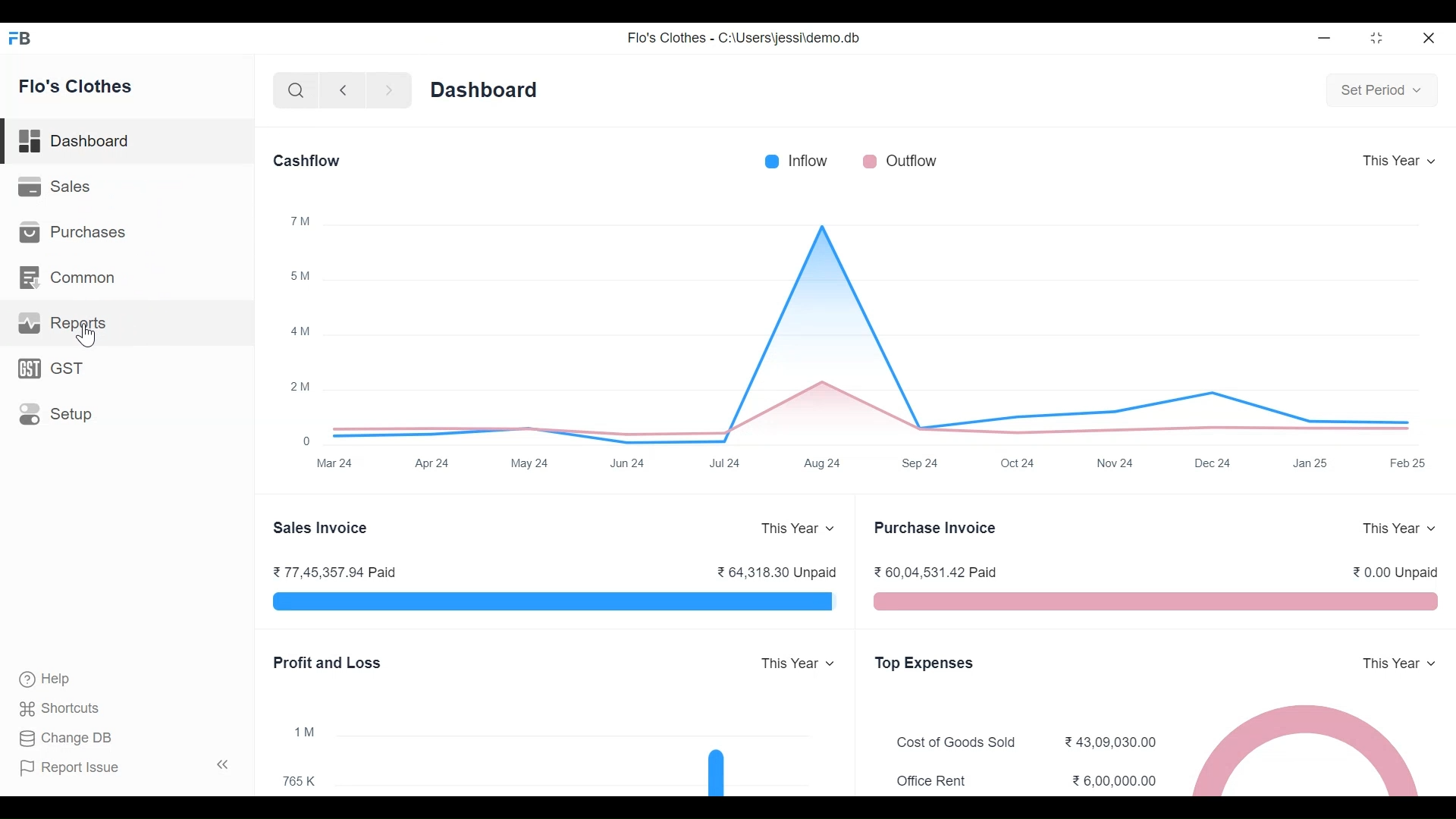 Image resolution: width=1456 pixels, height=819 pixels. I want to click on Help, so click(42, 677).